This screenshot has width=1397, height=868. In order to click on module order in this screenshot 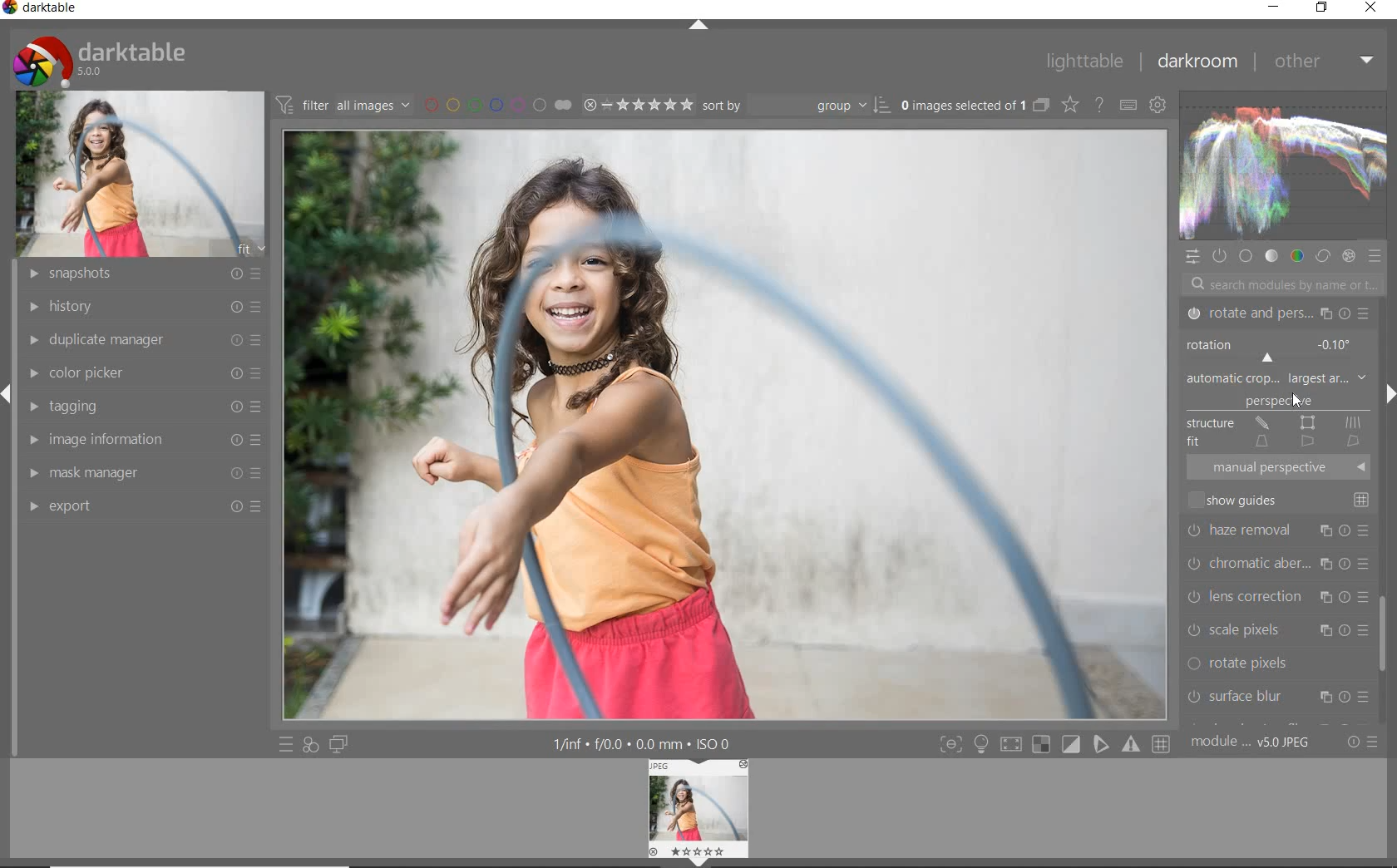, I will do `click(1251, 743)`.